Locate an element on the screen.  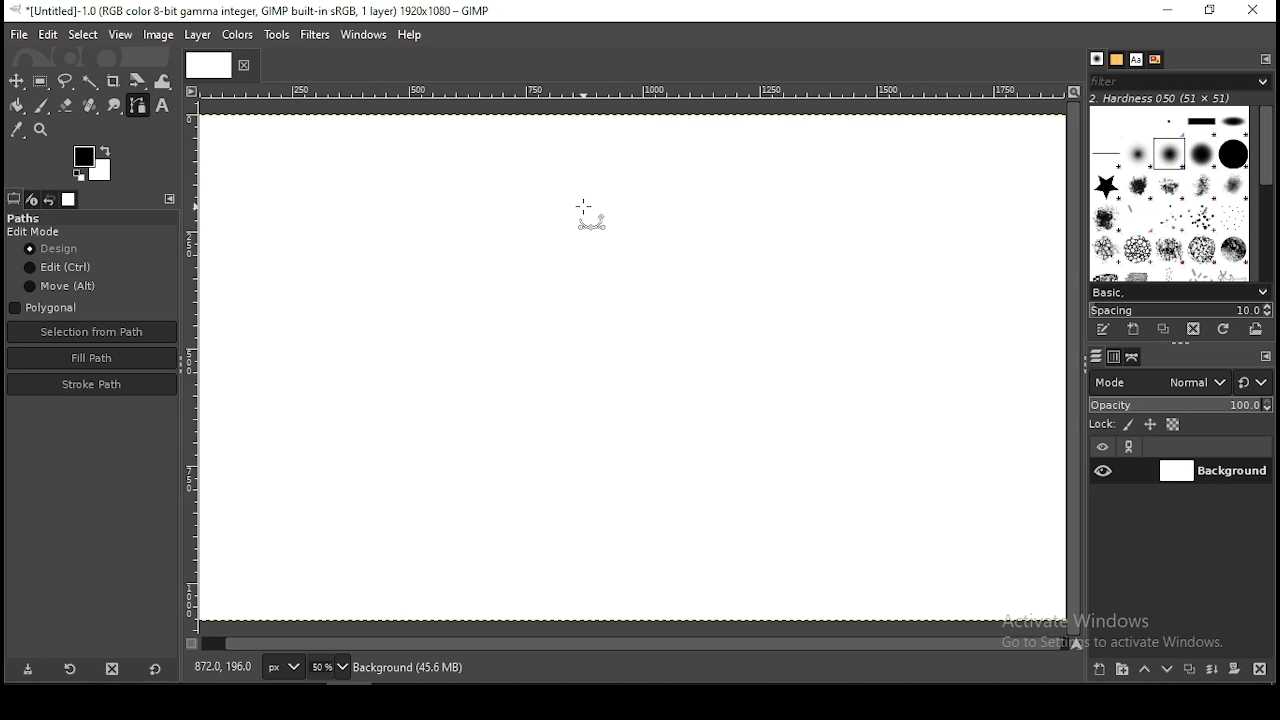
fill path is located at coordinates (92, 357).